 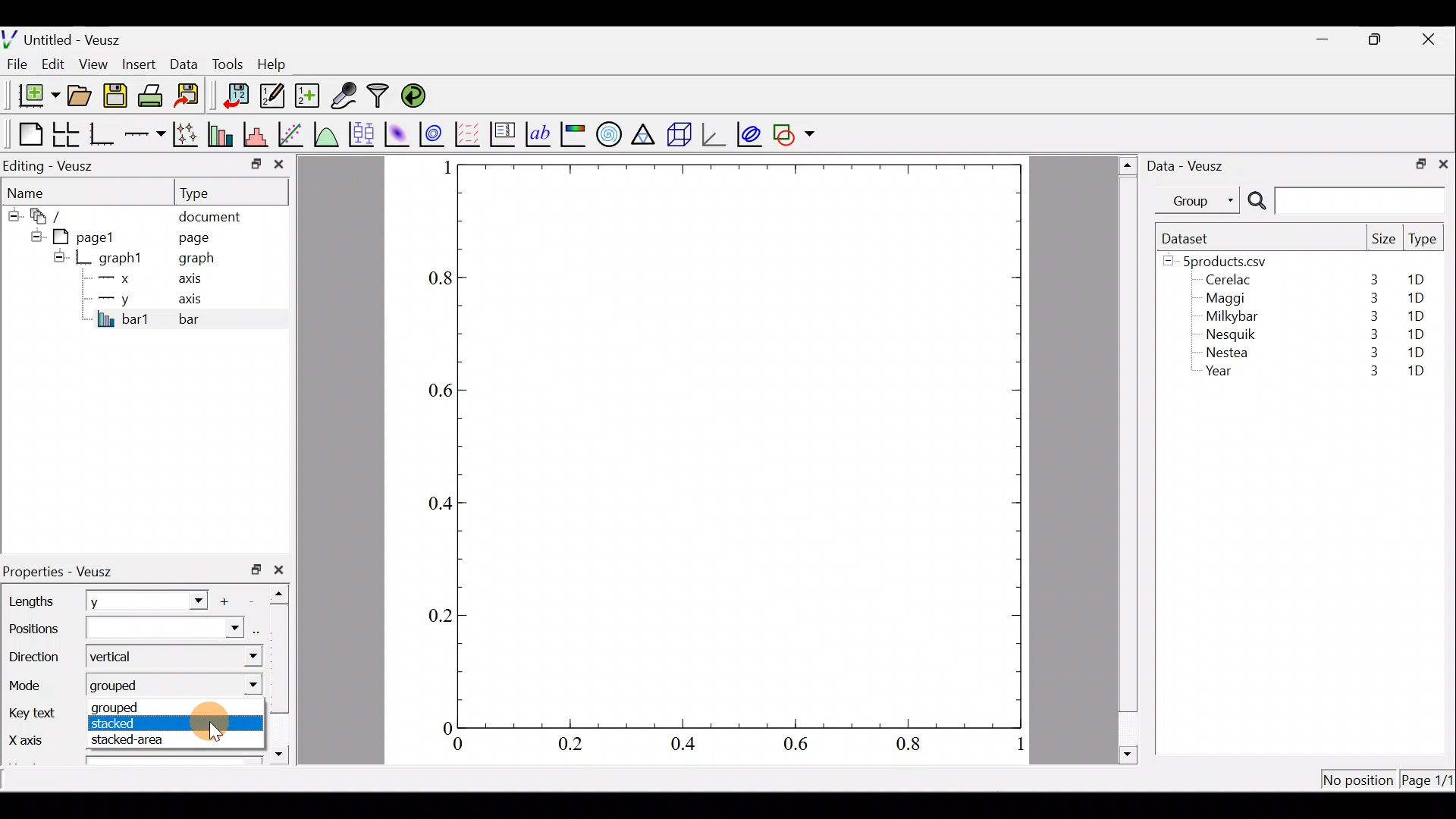 I want to click on restore down, so click(x=256, y=570).